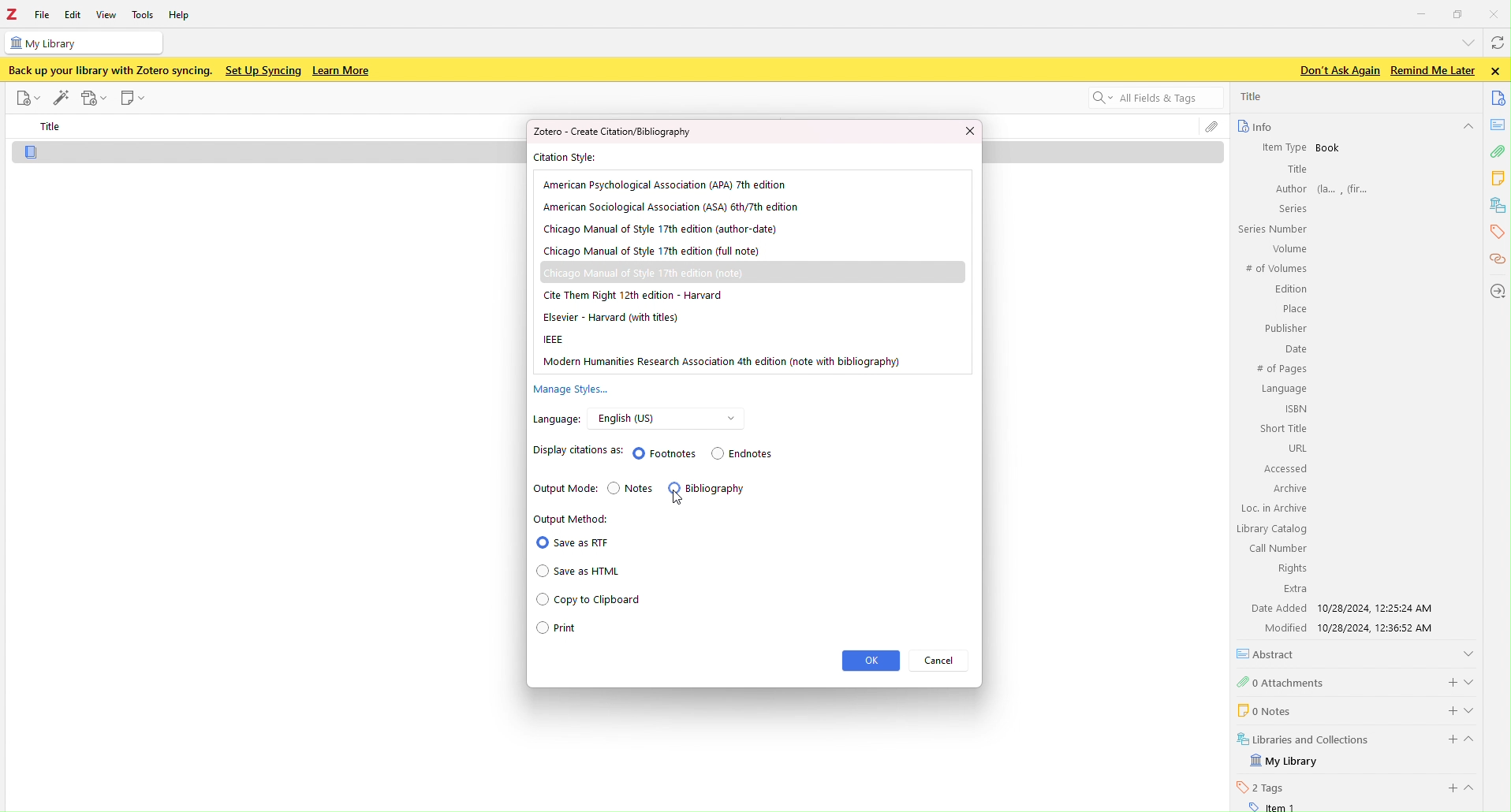 The width and height of the screenshot is (1511, 812). Describe the element at coordinates (872, 661) in the screenshot. I see `ok` at that location.